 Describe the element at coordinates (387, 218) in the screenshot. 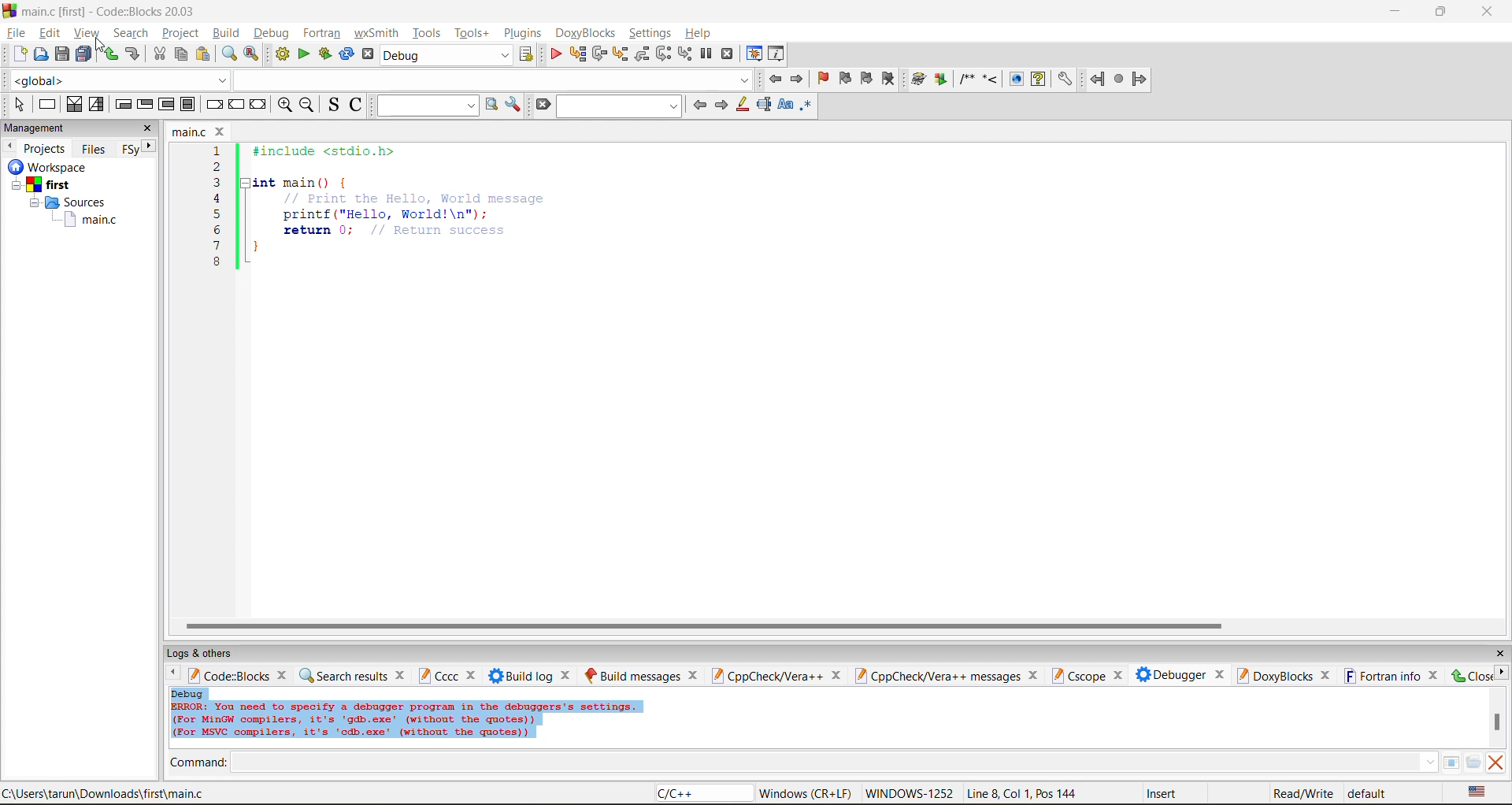

I see `1 #include <stdio.h>

2

3 int main() {

4 // Print the He >, World message
a printf ("Hello, World!\n");

[3 return 0; // Return success

7 }

8` at that location.